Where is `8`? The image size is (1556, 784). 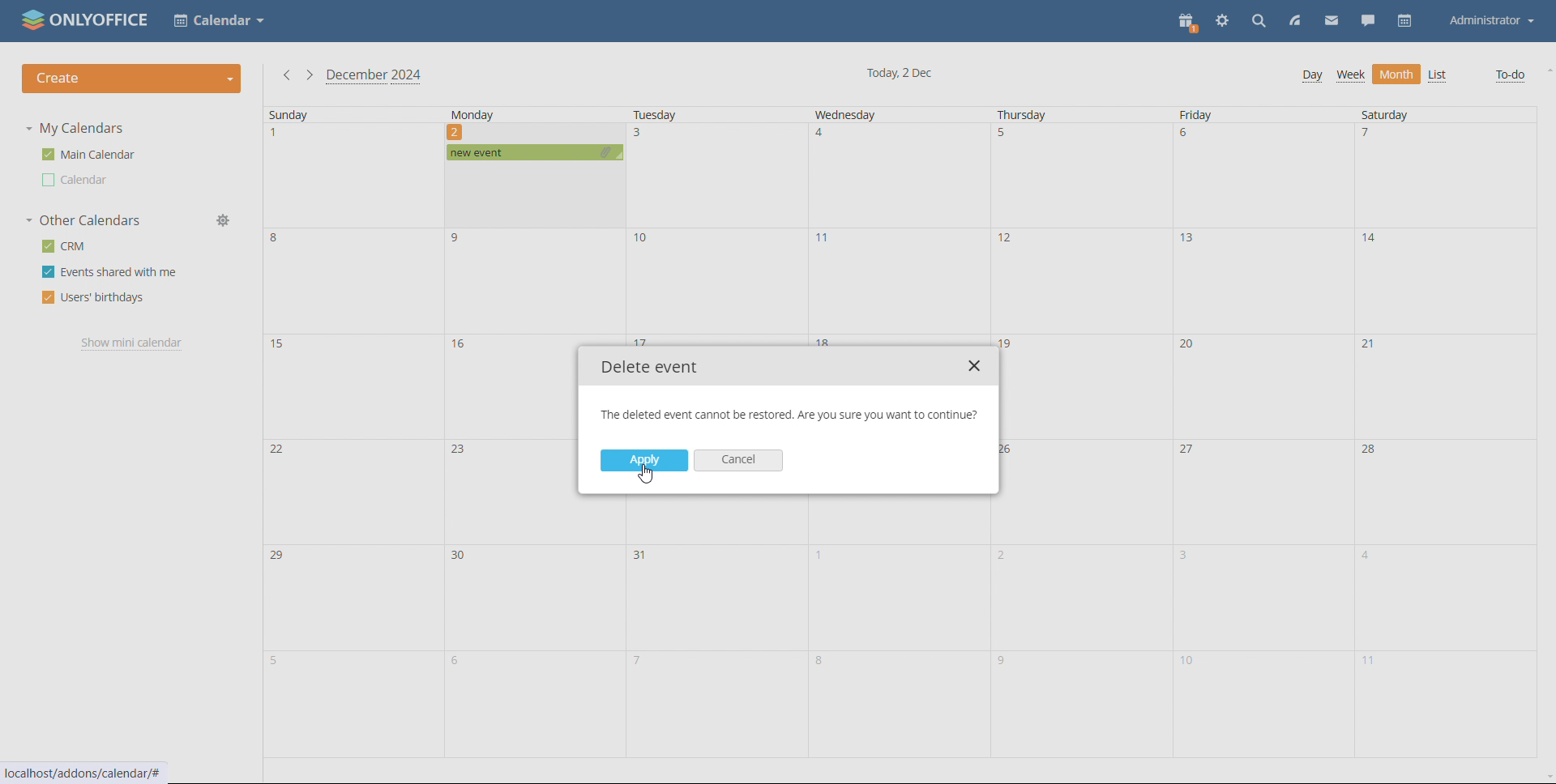
8 is located at coordinates (281, 242).